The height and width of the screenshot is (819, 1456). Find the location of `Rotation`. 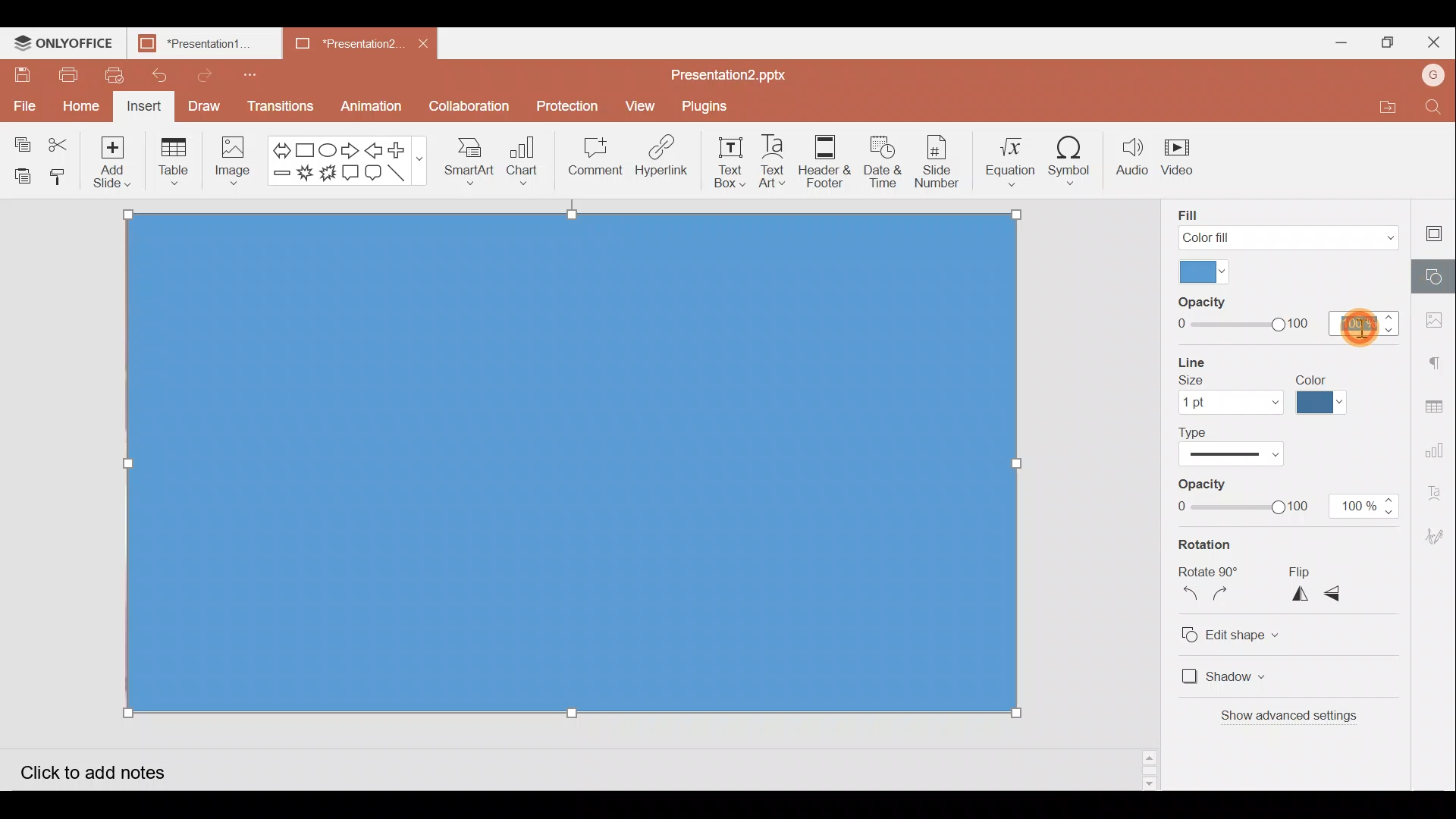

Rotation is located at coordinates (1215, 546).